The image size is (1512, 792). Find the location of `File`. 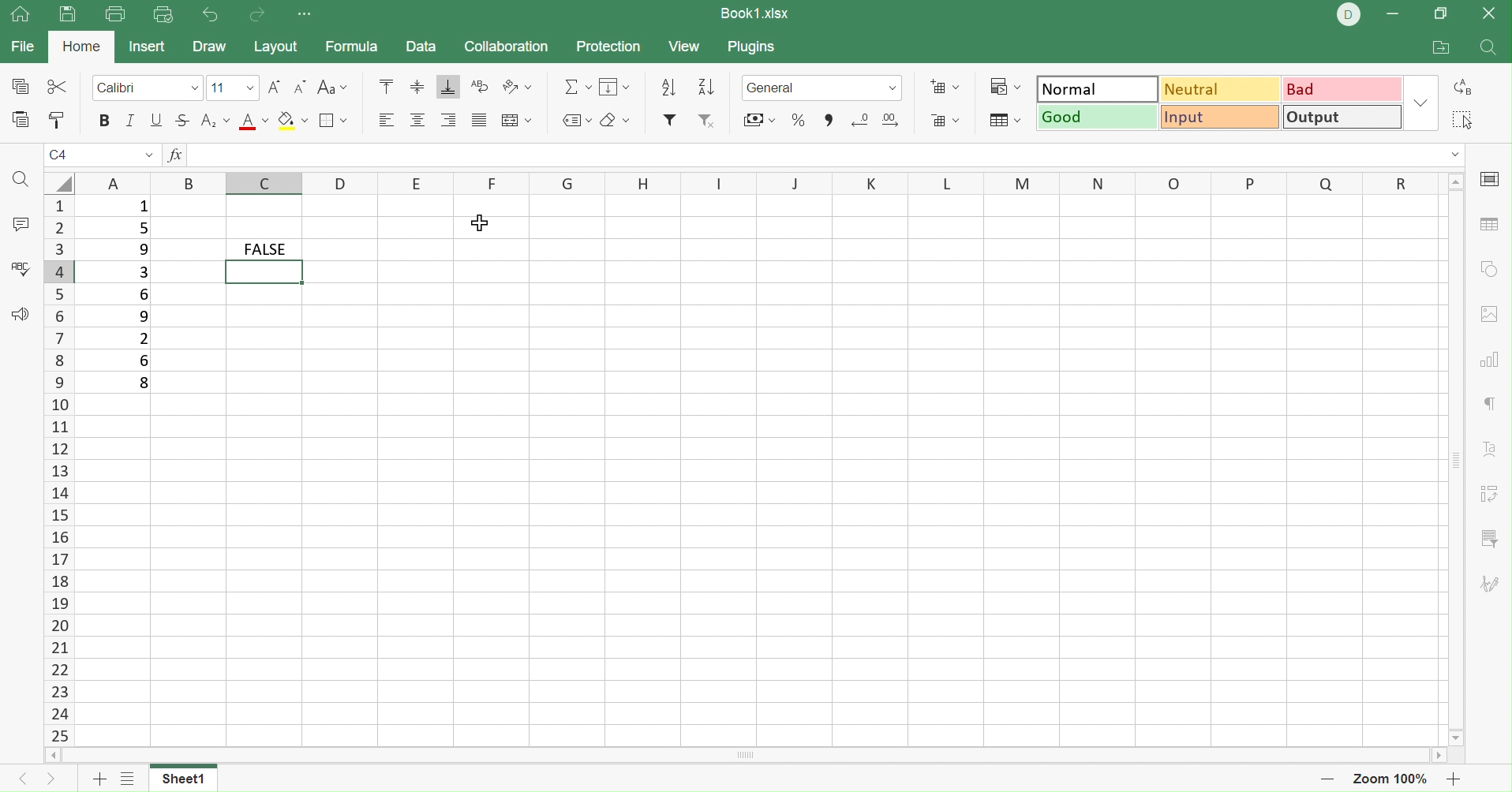

File is located at coordinates (23, 47).